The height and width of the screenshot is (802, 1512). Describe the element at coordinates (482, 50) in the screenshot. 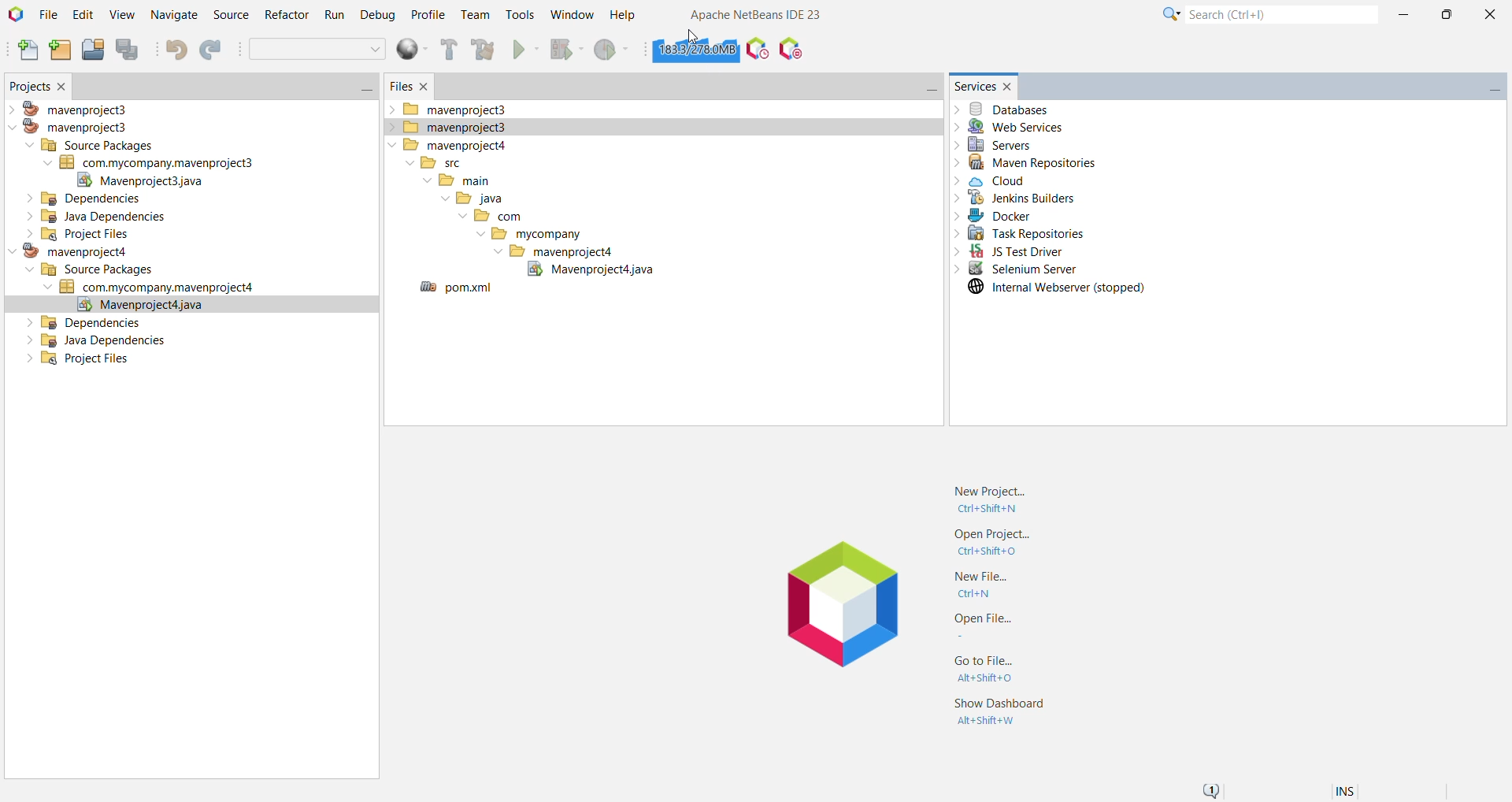

I see `Clean and build Project` at that location.